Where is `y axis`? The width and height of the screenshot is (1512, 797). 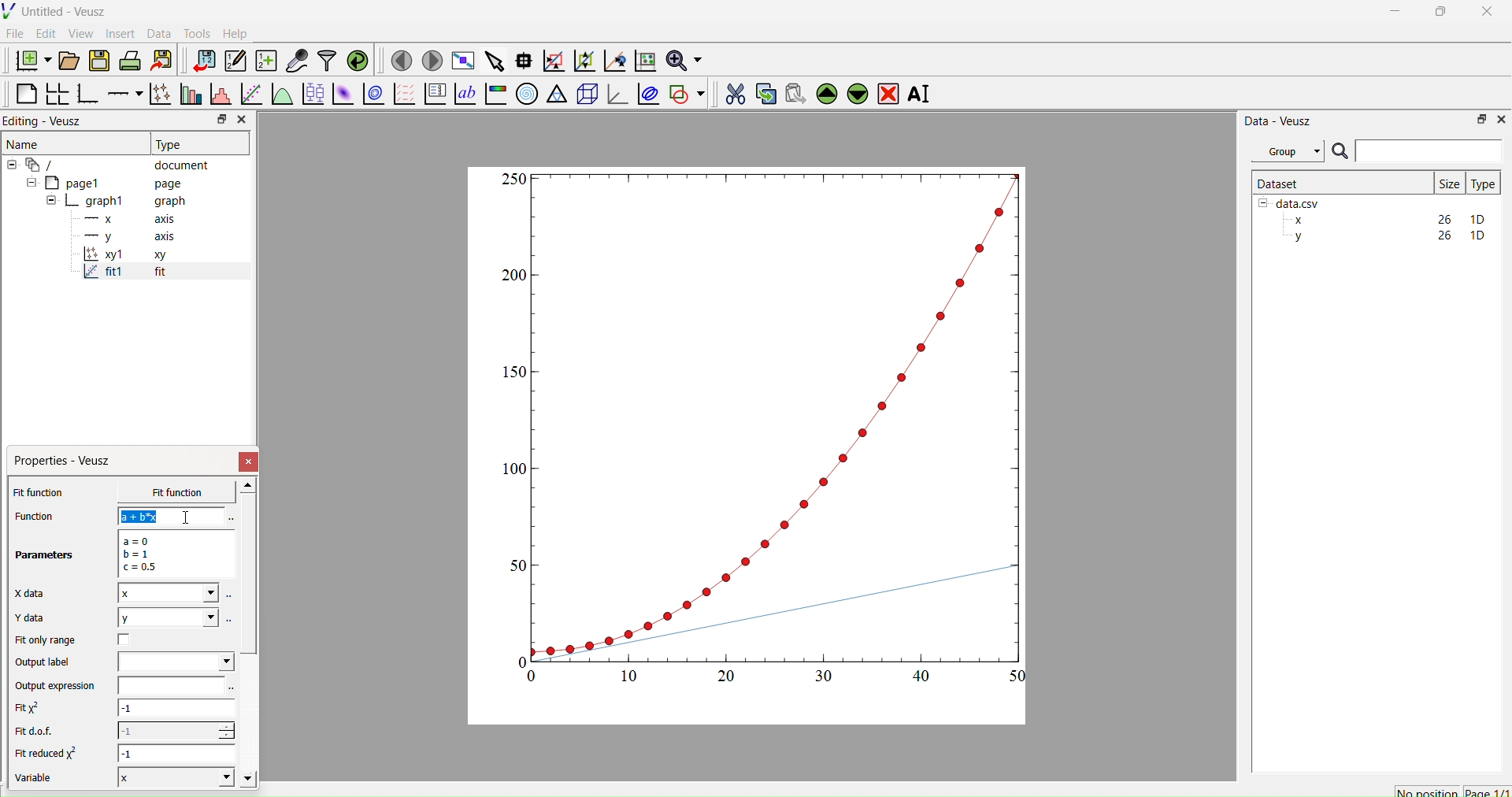
y axis is located at coordinates (120, 236).